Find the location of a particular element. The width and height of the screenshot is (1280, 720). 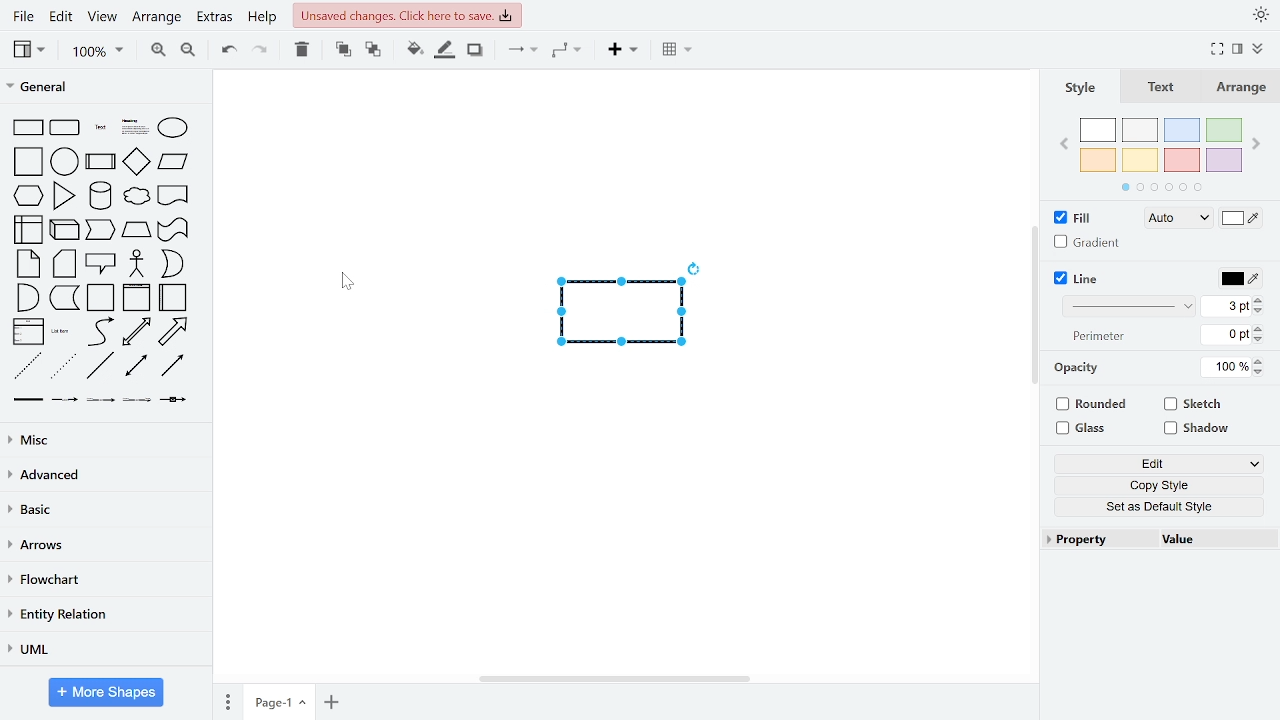

current page is located at coordinates (277, 703).